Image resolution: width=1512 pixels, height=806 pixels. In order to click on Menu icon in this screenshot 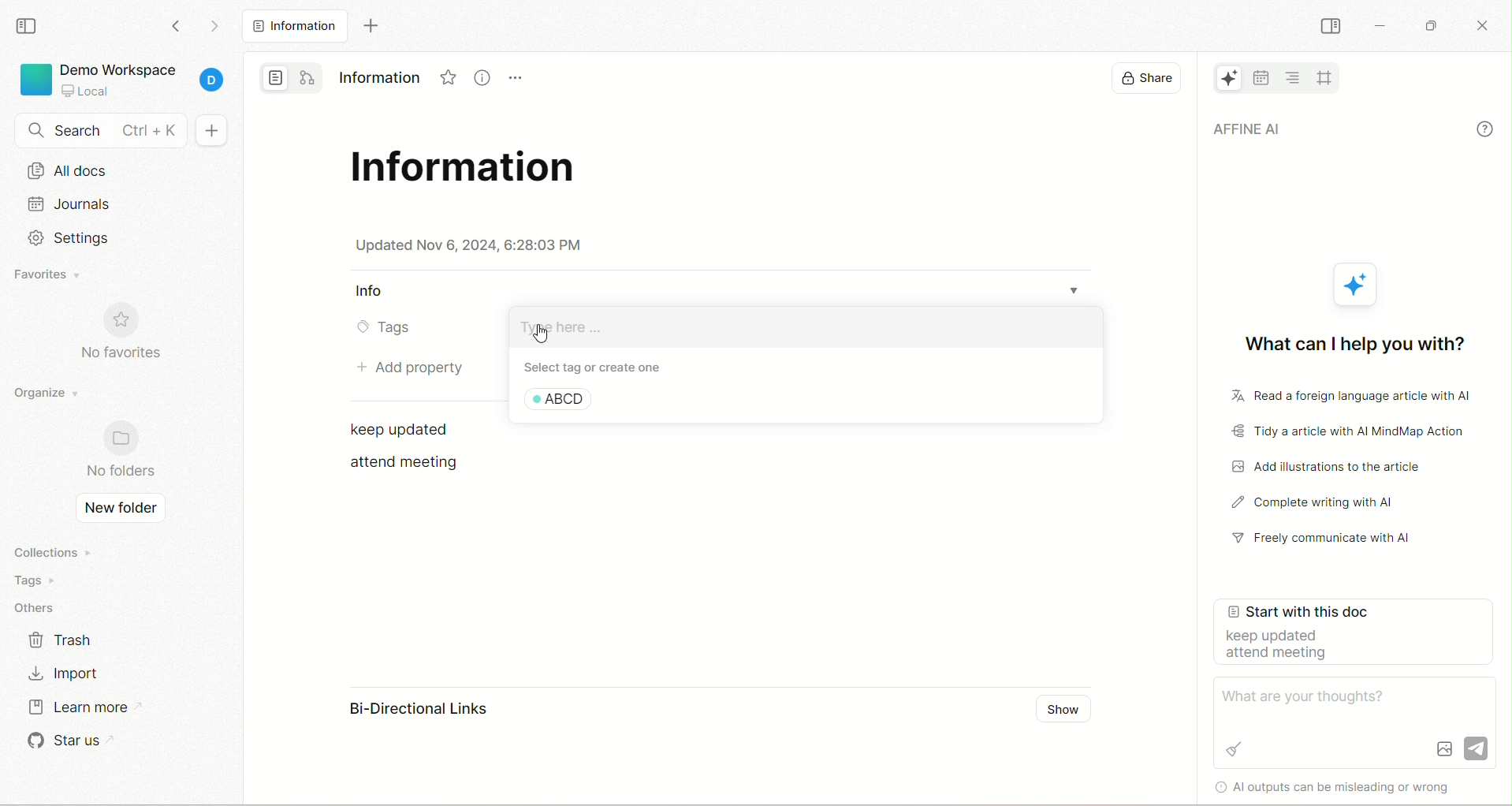, I will do `click(518, 78)`.